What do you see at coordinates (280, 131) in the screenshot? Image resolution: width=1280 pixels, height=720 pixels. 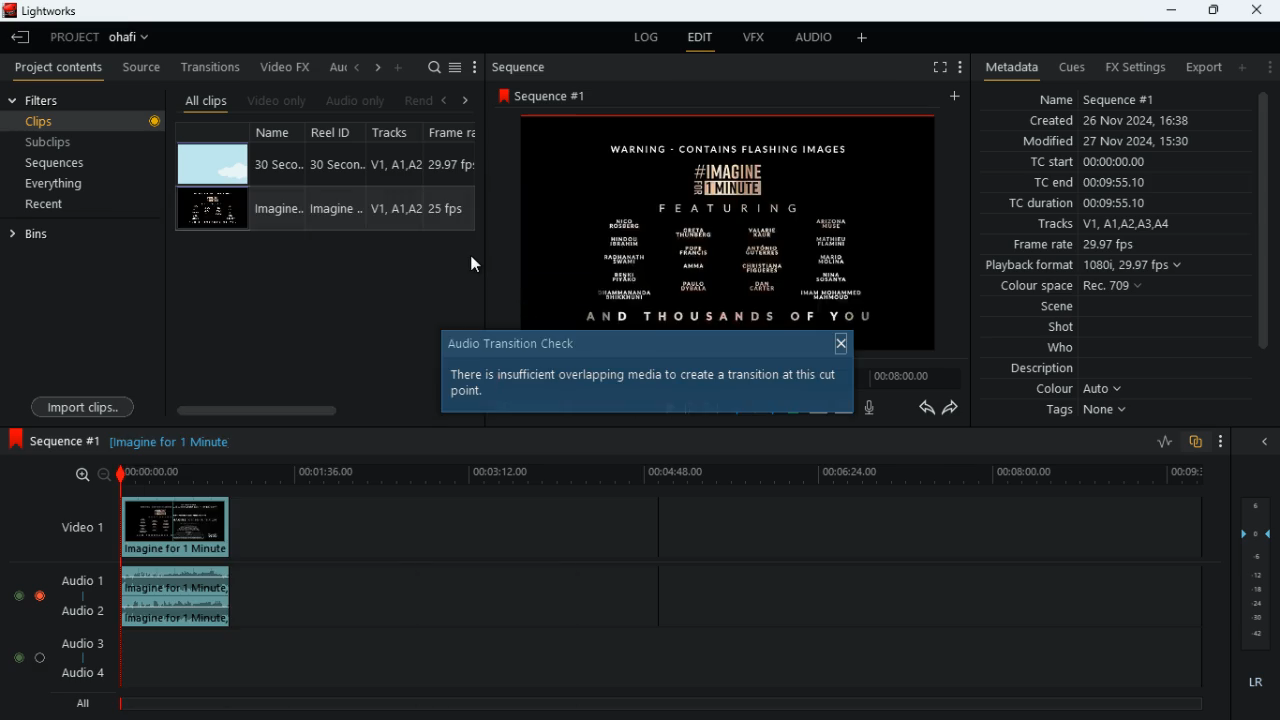 I see `name` at bounding box center [280, 131].